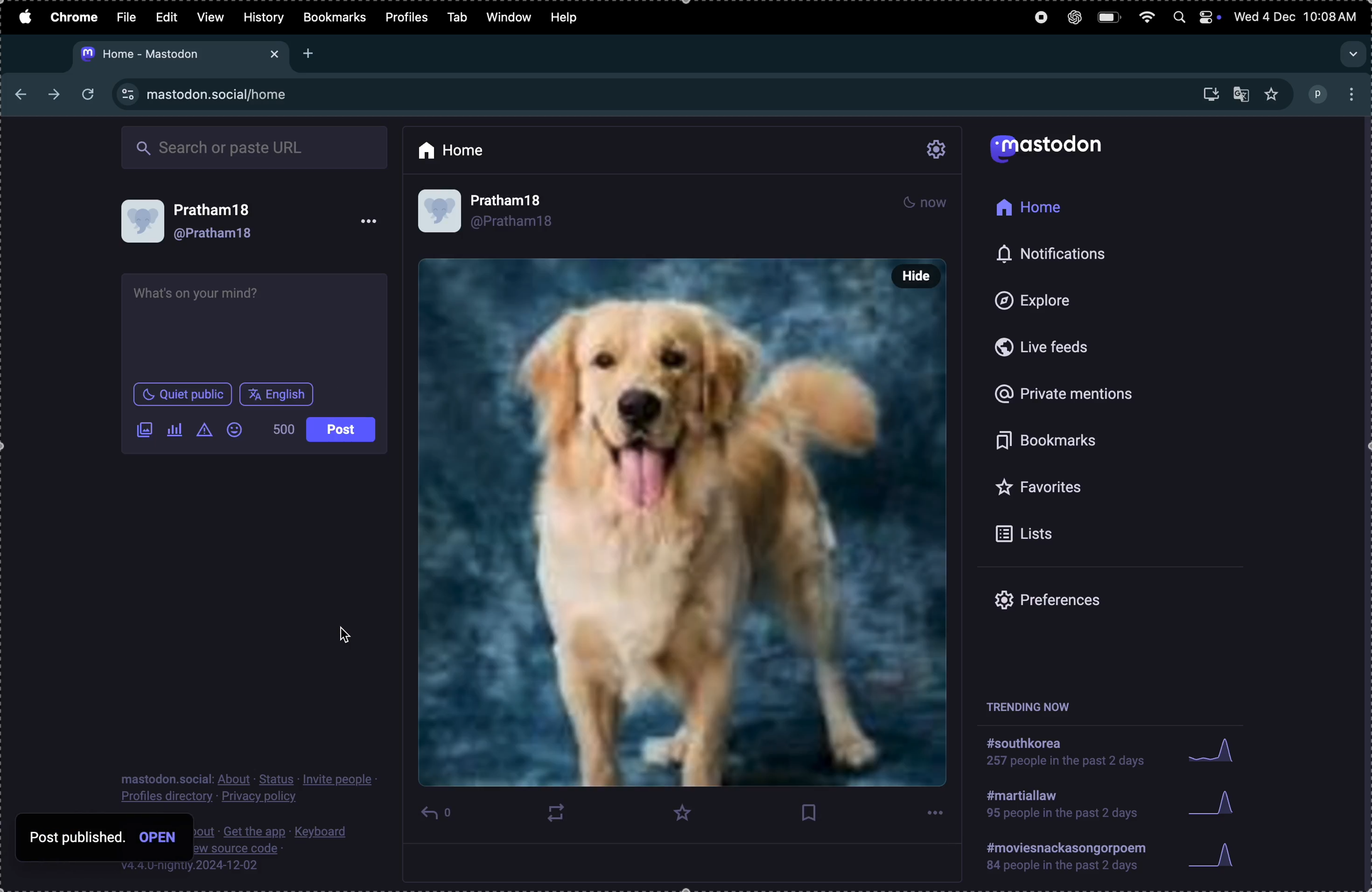  What do you see at coordinates (559, 814) in the screenshot?
I see `boost` at bounding box center [559, 814].